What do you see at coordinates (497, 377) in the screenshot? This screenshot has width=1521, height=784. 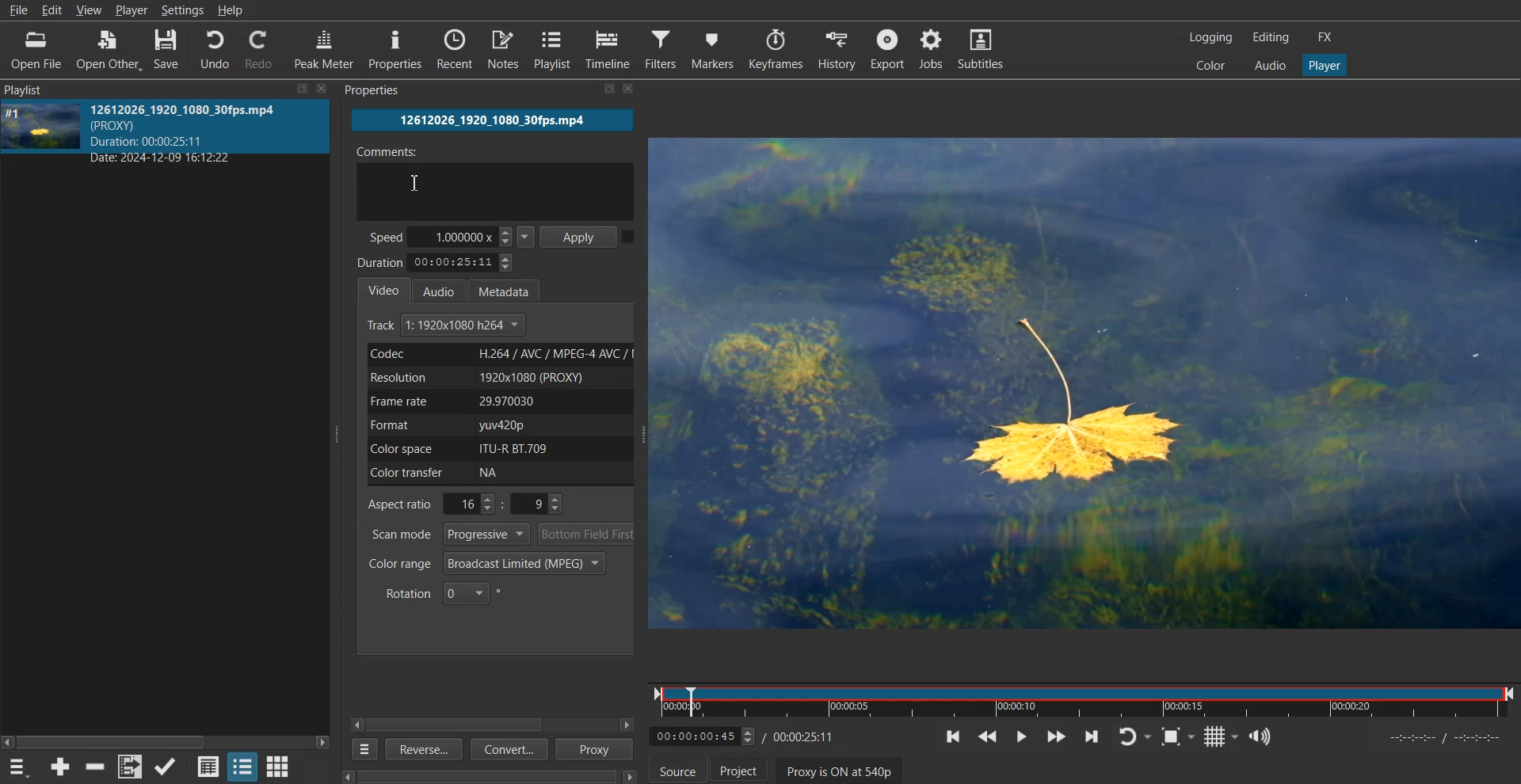 I see `Resolution` at bounding box center [497, 377].